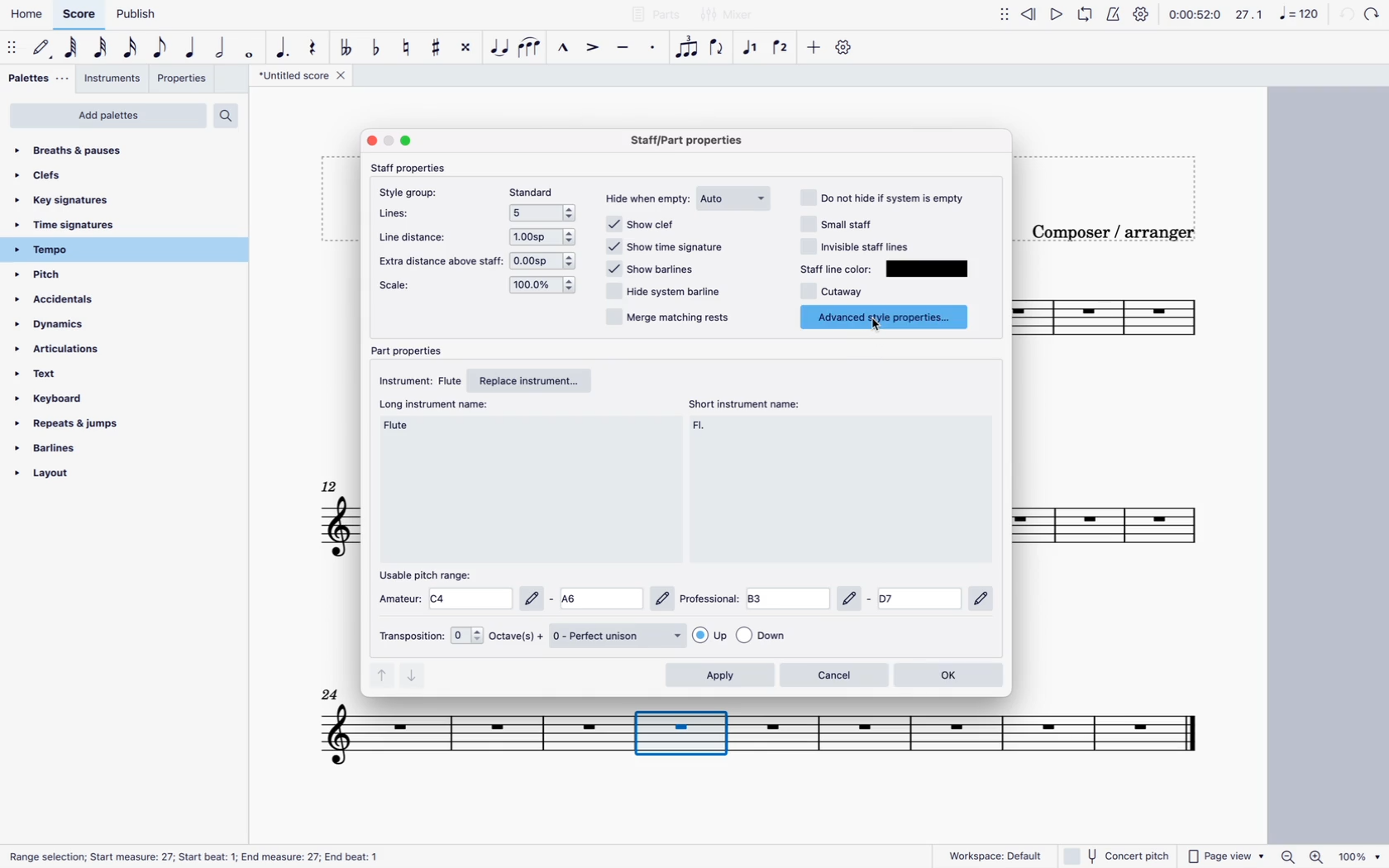 This screenshot has height=868, width=1389. Describe the element at coordinates (735, 198) in the screenshot. I see `auto` at that location.